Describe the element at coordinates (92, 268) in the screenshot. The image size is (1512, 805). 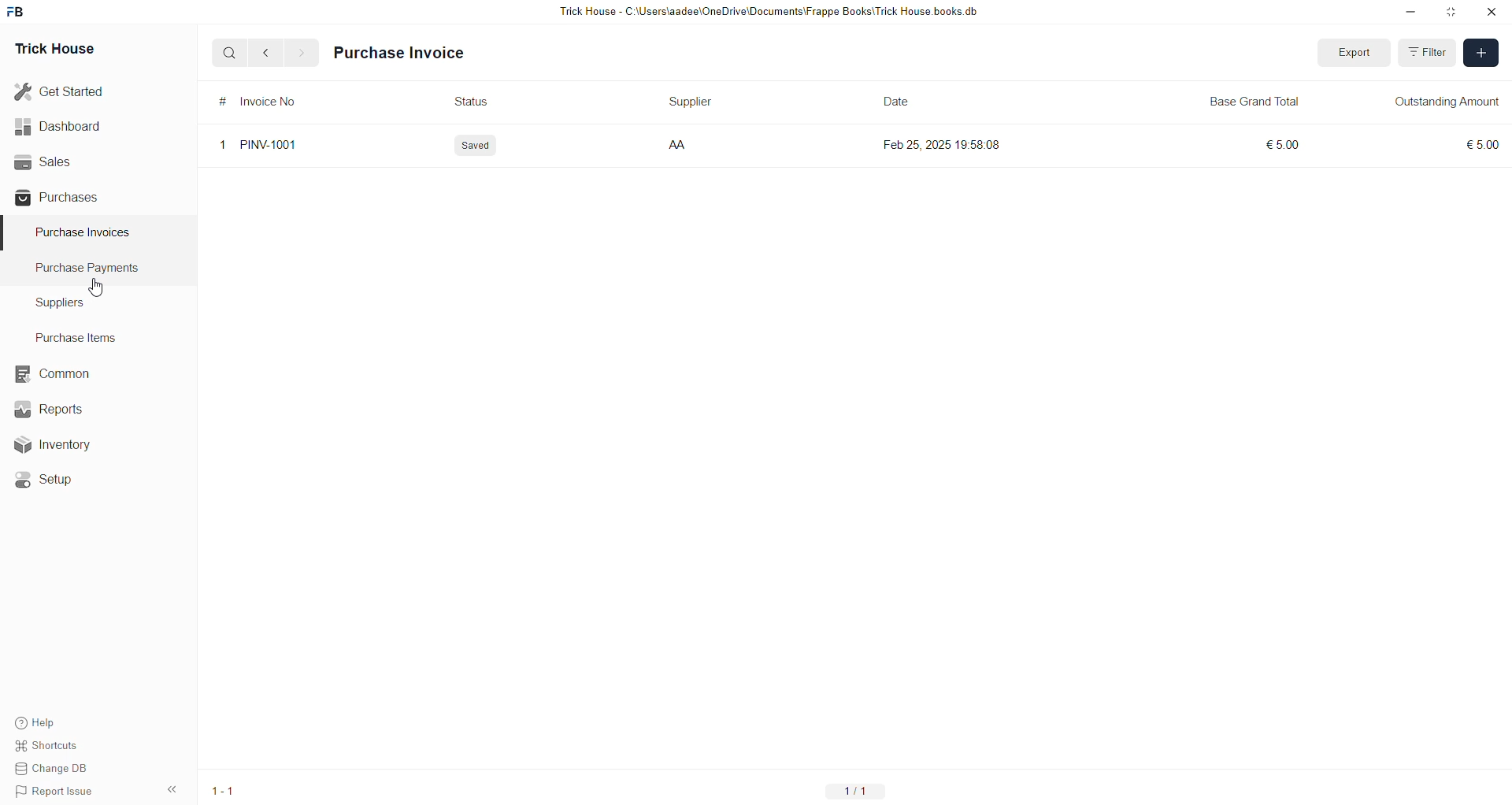
I see `Purchase Payments` at that location.